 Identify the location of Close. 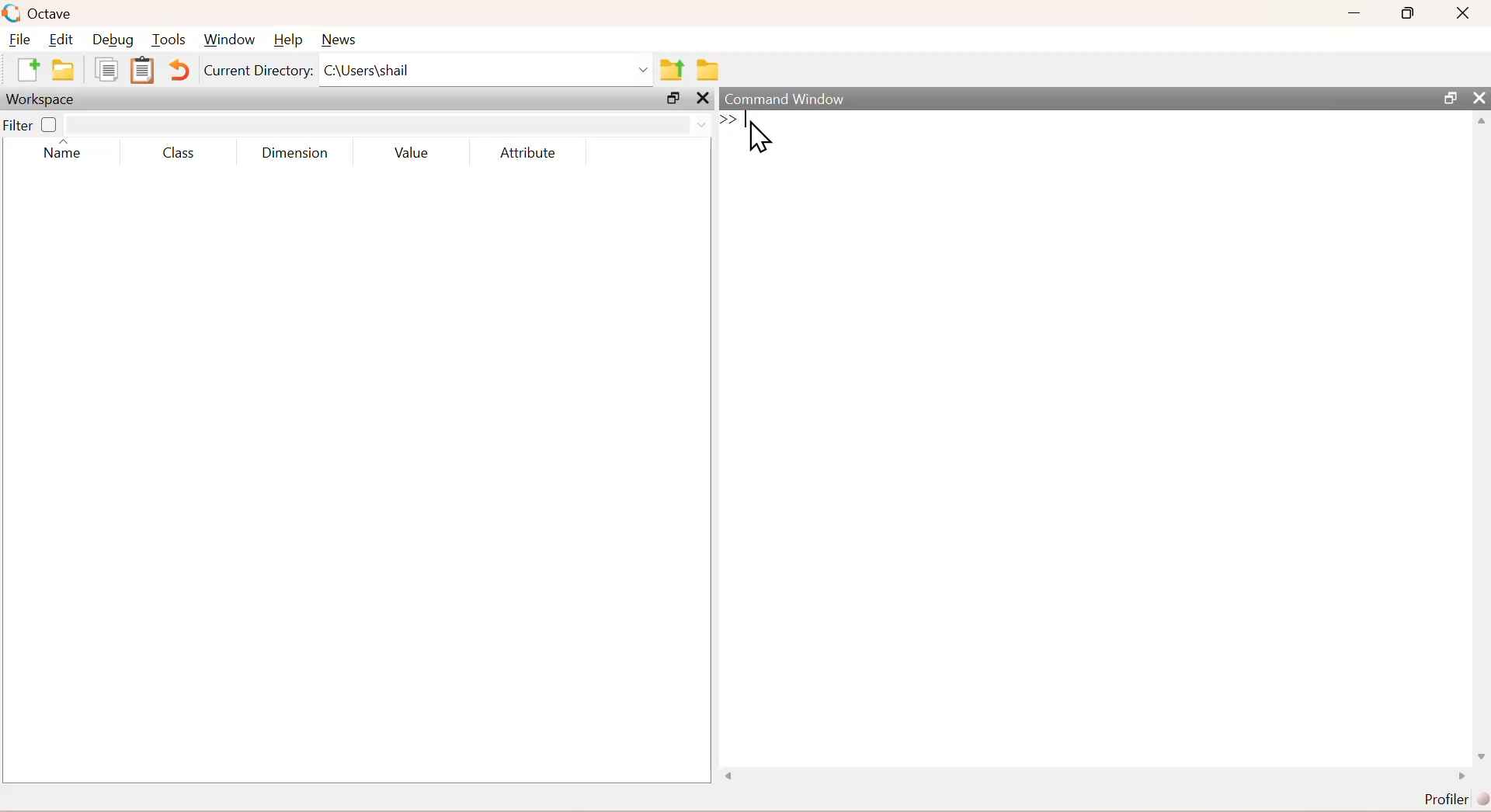
(703, 102).